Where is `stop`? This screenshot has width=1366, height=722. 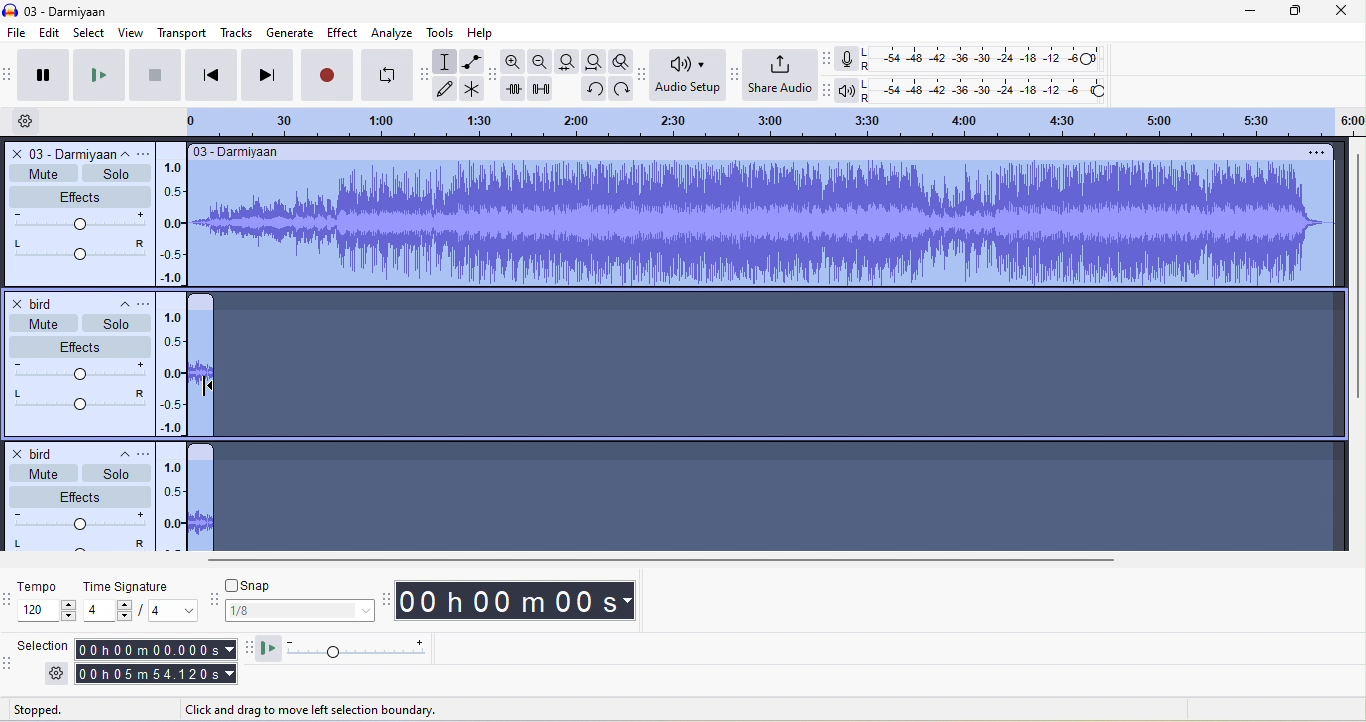 stop is located at coordinates (152, 74).